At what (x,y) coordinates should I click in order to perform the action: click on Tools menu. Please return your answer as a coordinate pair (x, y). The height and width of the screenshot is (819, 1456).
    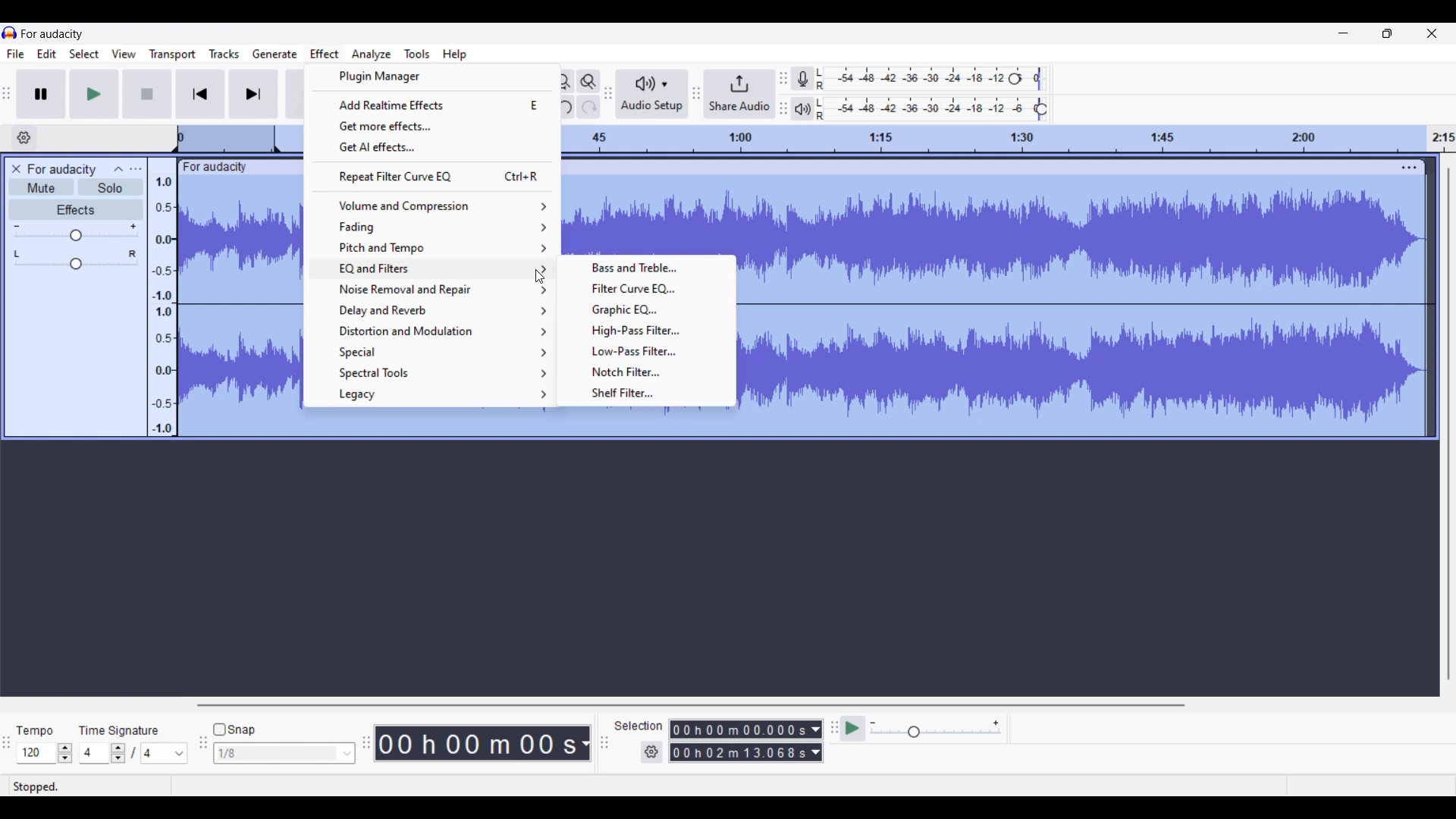
    Looking at the image, I should click on (416, 54).